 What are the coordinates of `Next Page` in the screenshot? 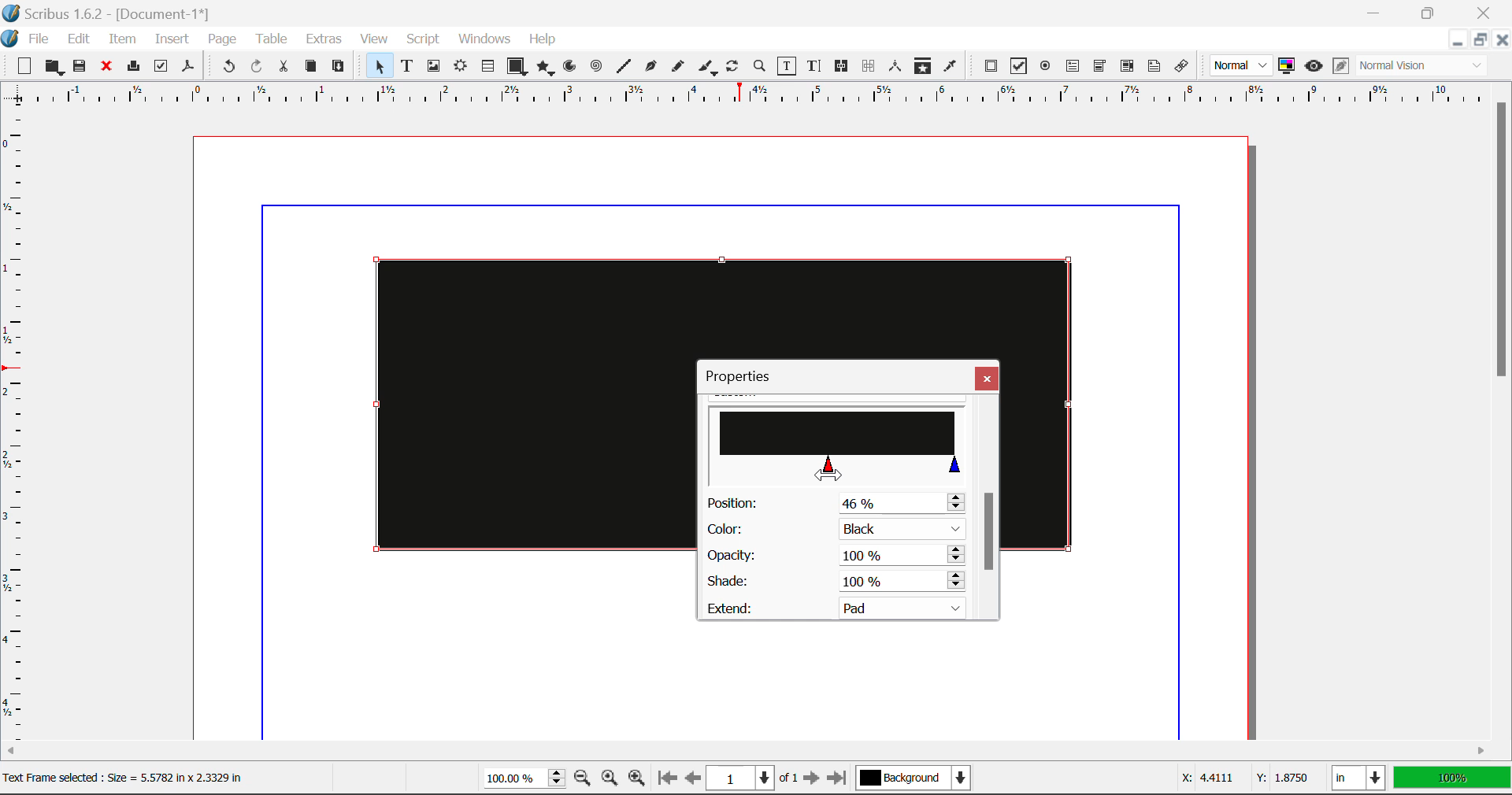 It's located at (811, 779).